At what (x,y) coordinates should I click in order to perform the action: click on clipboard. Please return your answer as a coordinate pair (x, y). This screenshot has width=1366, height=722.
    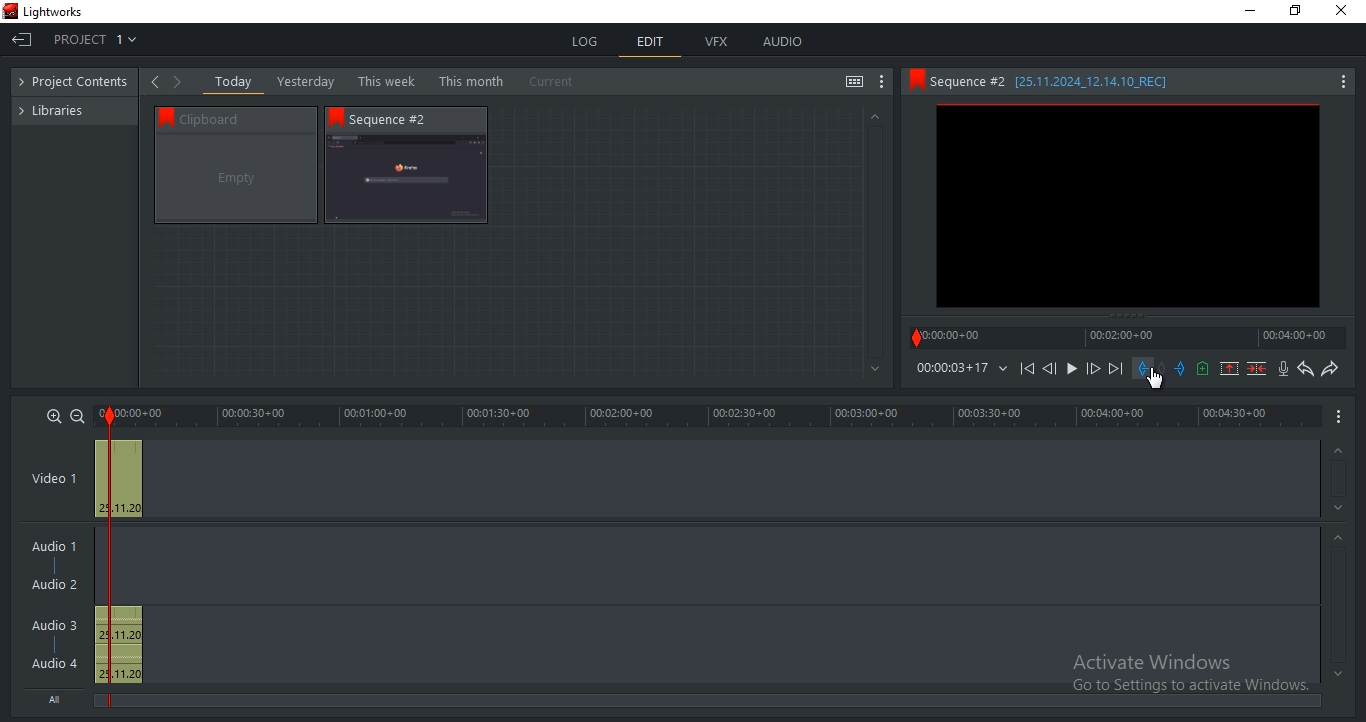
    Looking at the image, I should click on (236, 179).